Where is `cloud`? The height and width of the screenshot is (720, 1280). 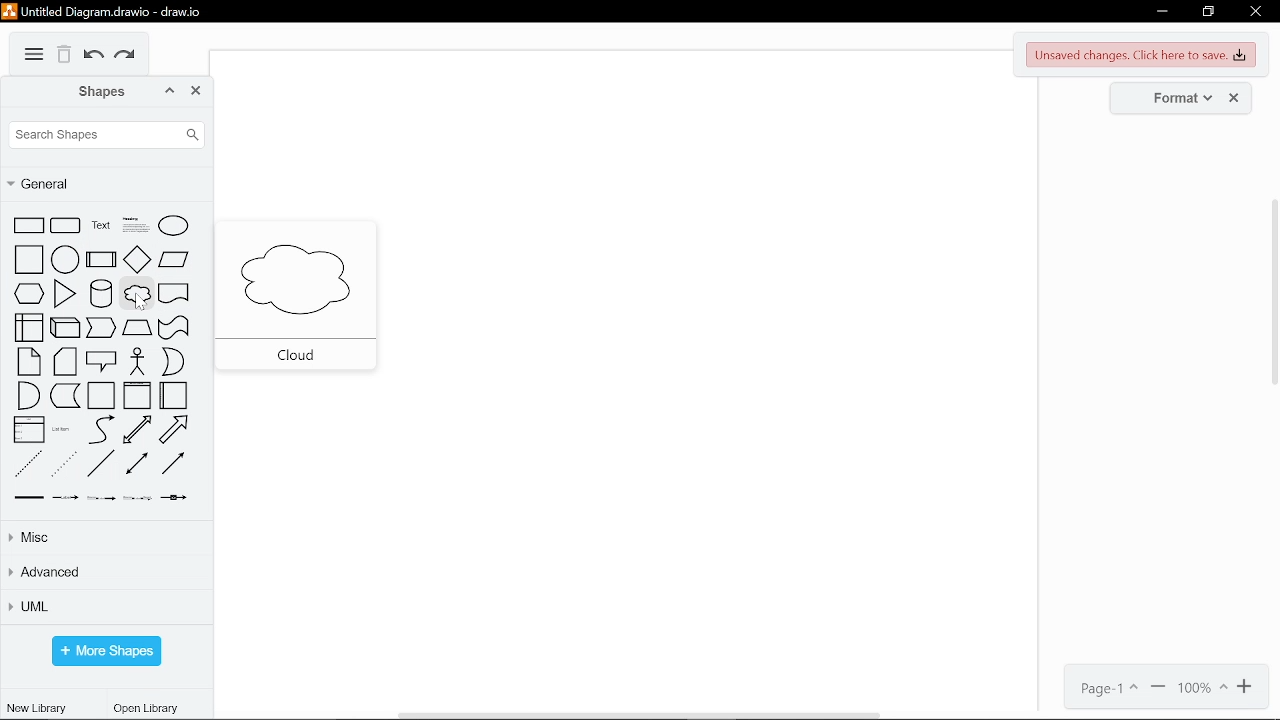
cloud is located at coordinates (297, 357).